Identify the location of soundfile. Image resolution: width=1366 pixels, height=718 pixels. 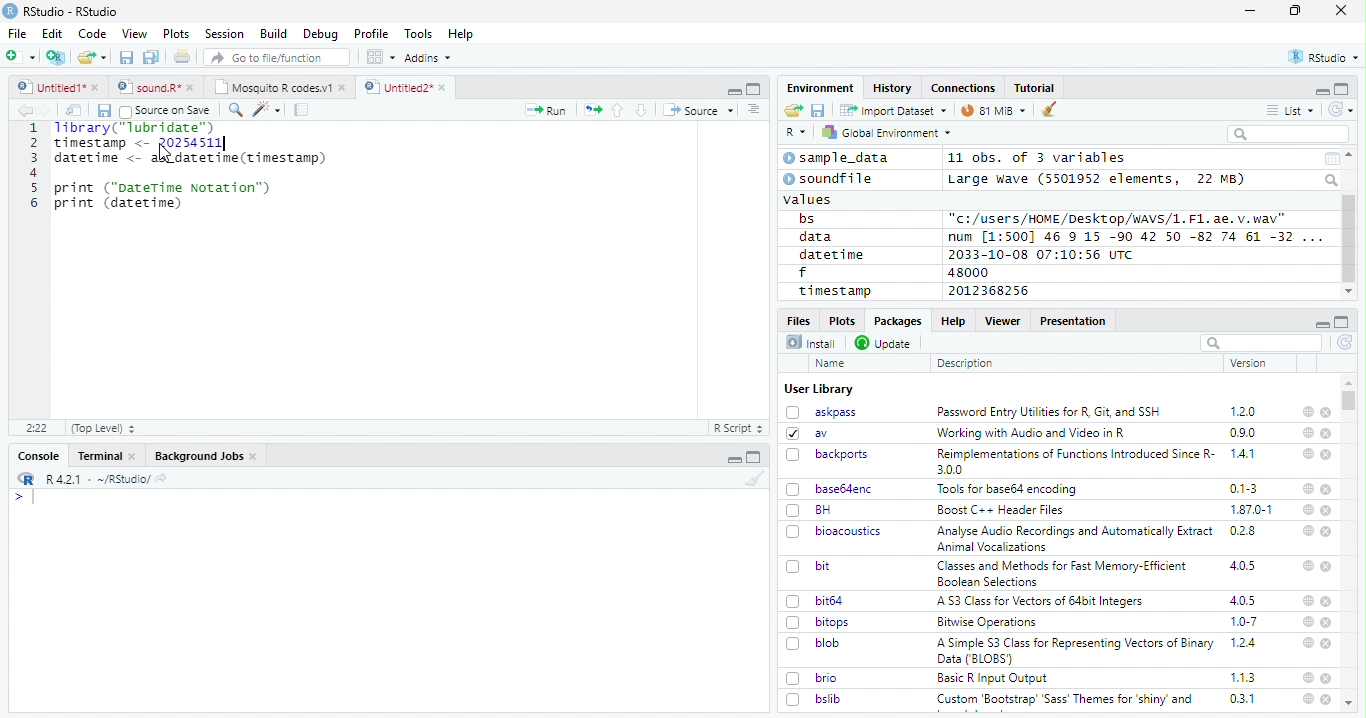
(829, 179).